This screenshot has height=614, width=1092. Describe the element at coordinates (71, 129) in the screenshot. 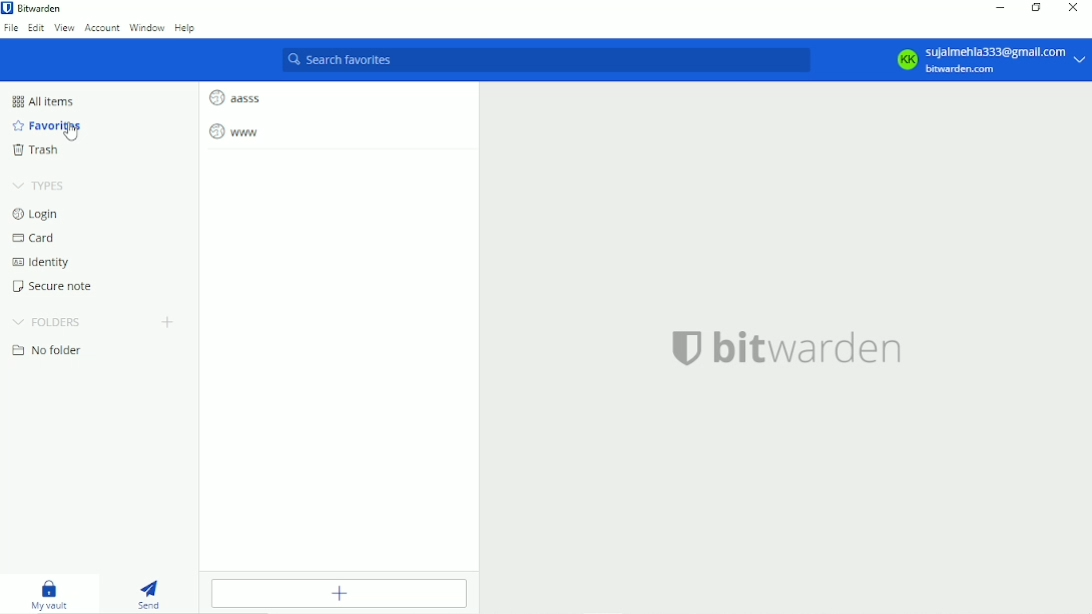

I see `Cursor` at that location.